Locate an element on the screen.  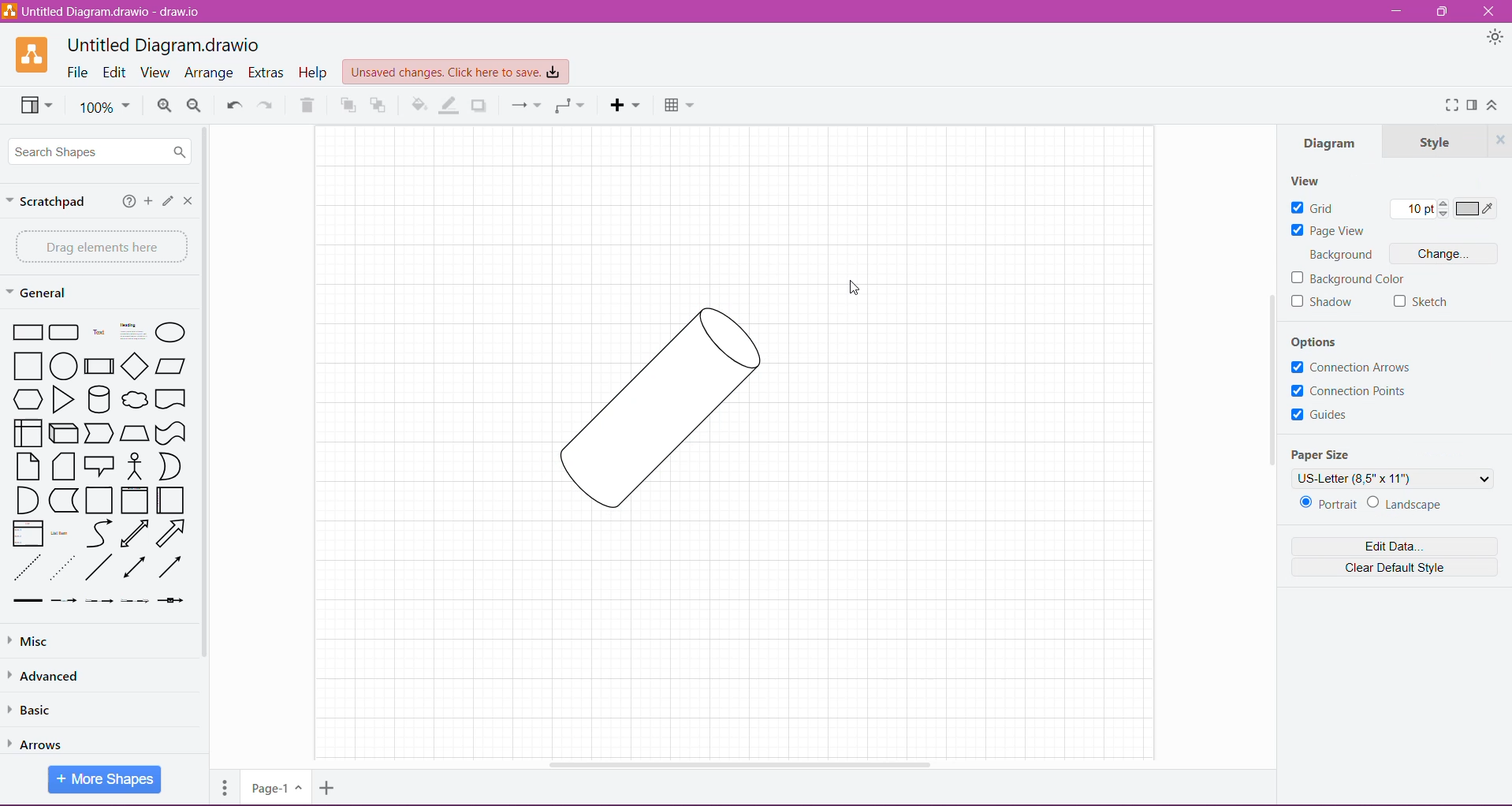
Shape rotated by 45 degrees is located at coordinates (644, 406).